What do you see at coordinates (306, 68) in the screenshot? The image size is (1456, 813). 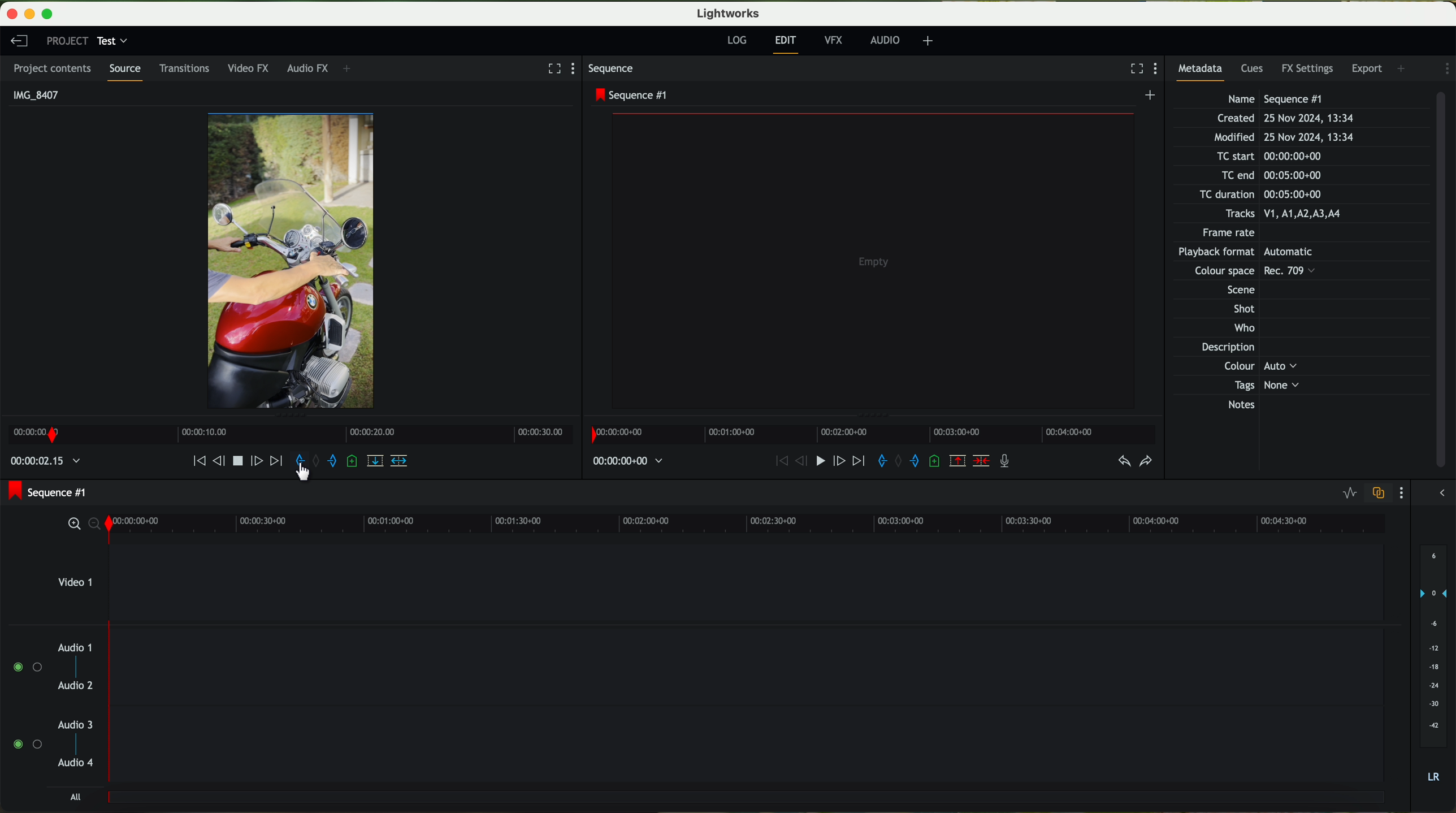 I see `audio FX` at bounding box center [306, 68].